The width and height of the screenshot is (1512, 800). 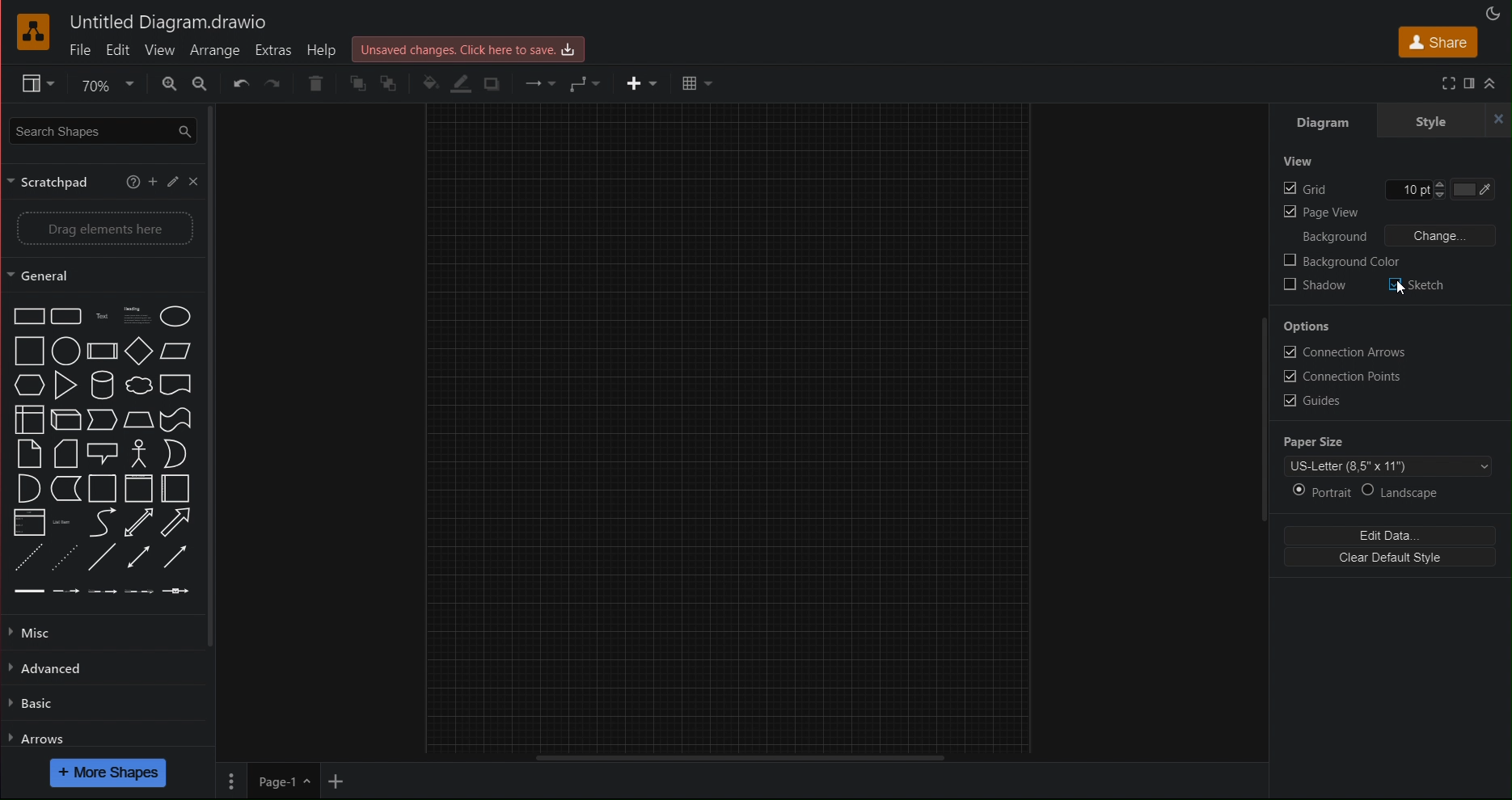 What do you see at coordinates (177, 420) in the screenshot?
I see `tape` at bounding box center [177, 420].